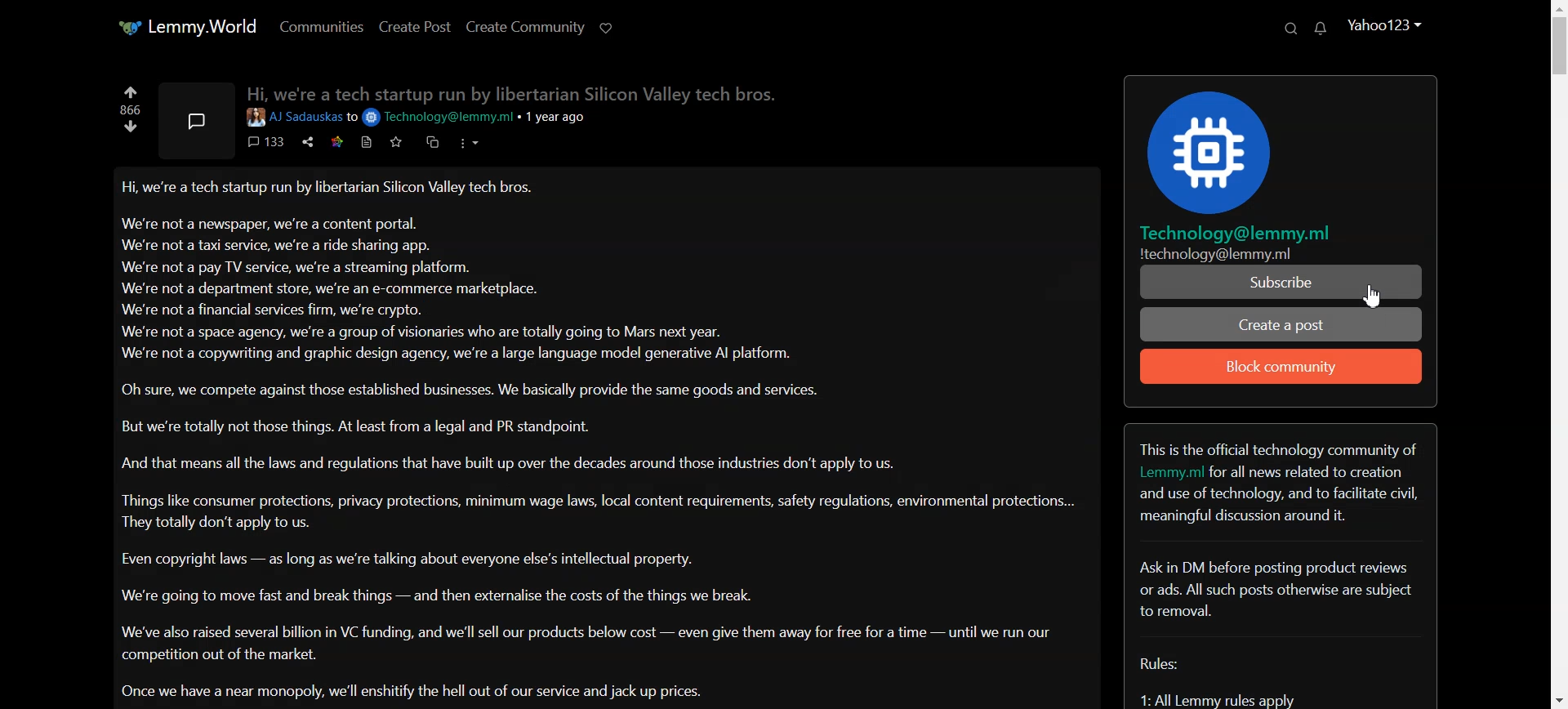 Image resolution: width=1568 pixels, height=709 pixels. What do you see at coordinates (265, 142) in the screenshot?
I see `comments` at bounding box center [265, 142].